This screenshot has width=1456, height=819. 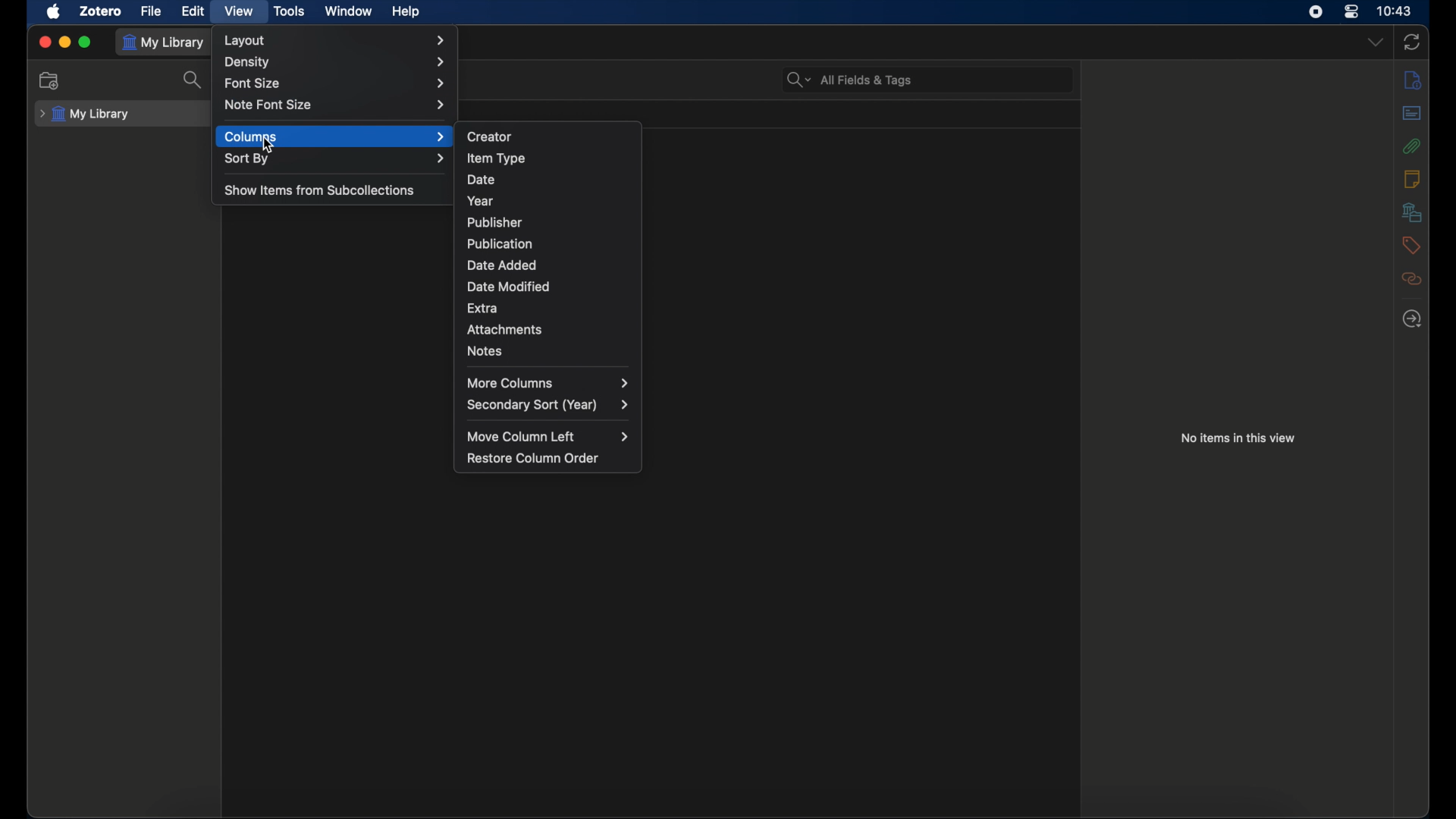 I want to click on publication, so click(x=500, y=243).